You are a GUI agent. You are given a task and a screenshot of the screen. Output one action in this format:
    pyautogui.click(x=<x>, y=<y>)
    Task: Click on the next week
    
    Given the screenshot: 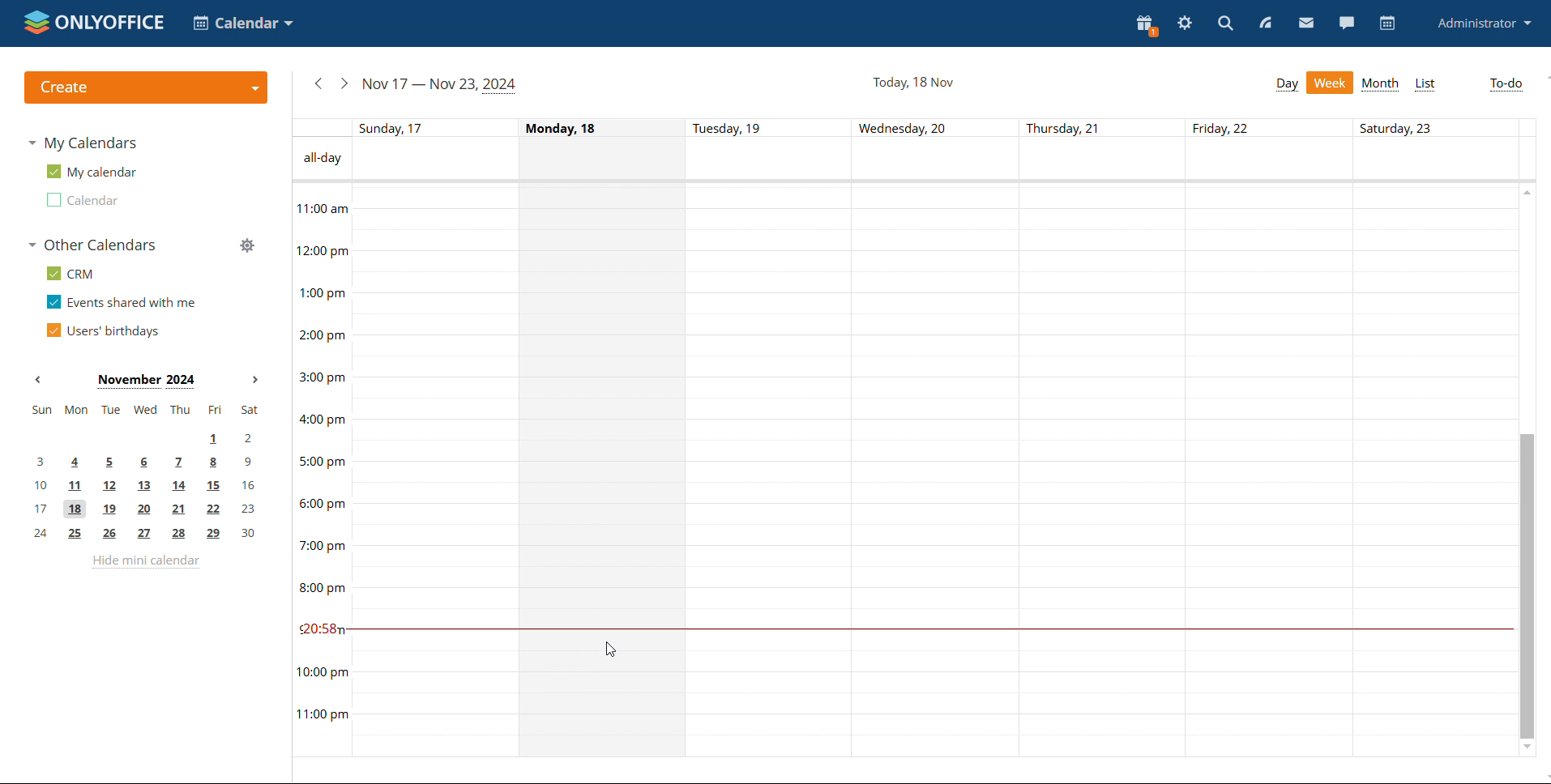 What is the action you would take?
    pyautogui.click(x=344, y=83)
    